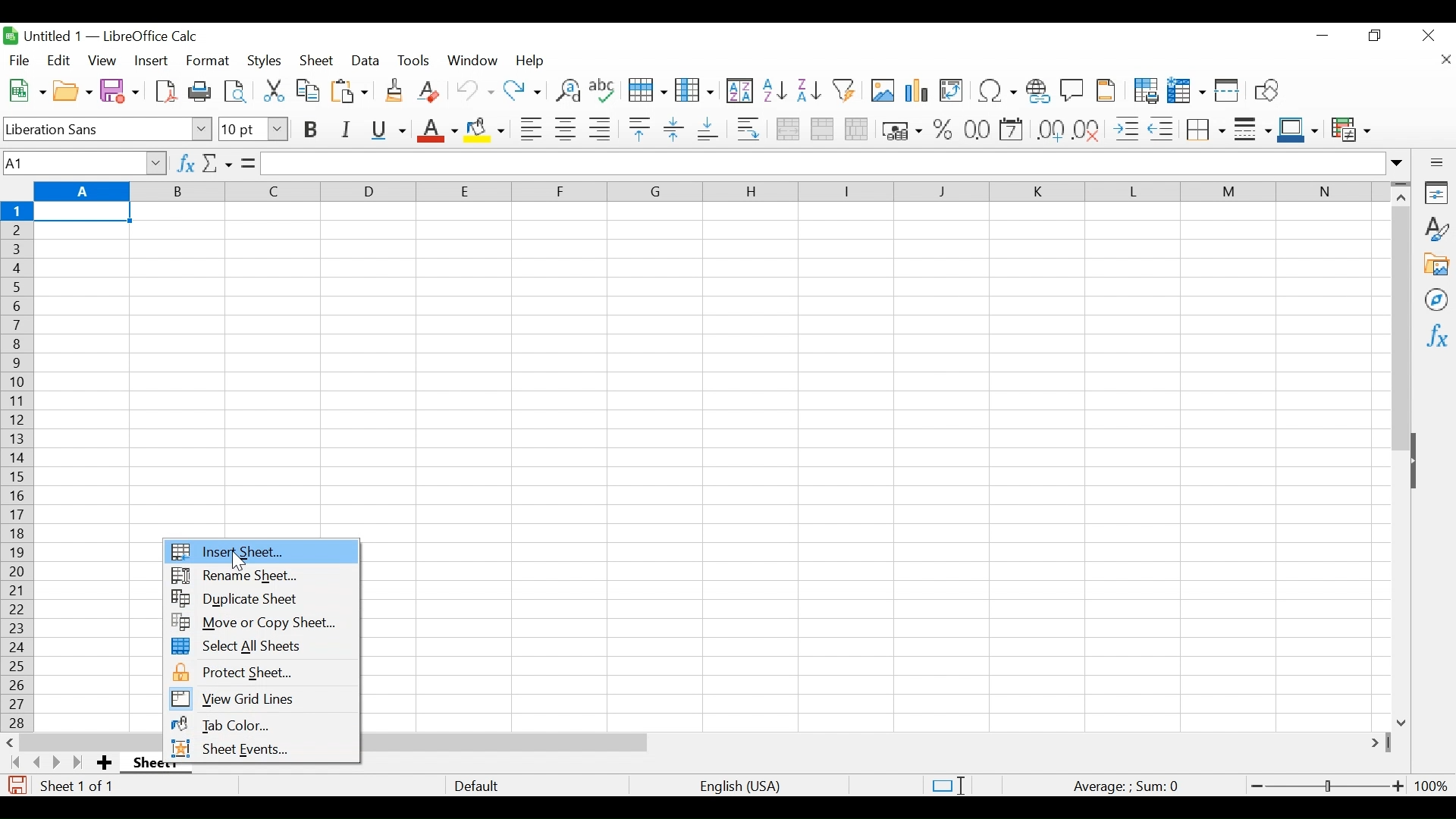  I want to click on minimize, so click(1322, 35).